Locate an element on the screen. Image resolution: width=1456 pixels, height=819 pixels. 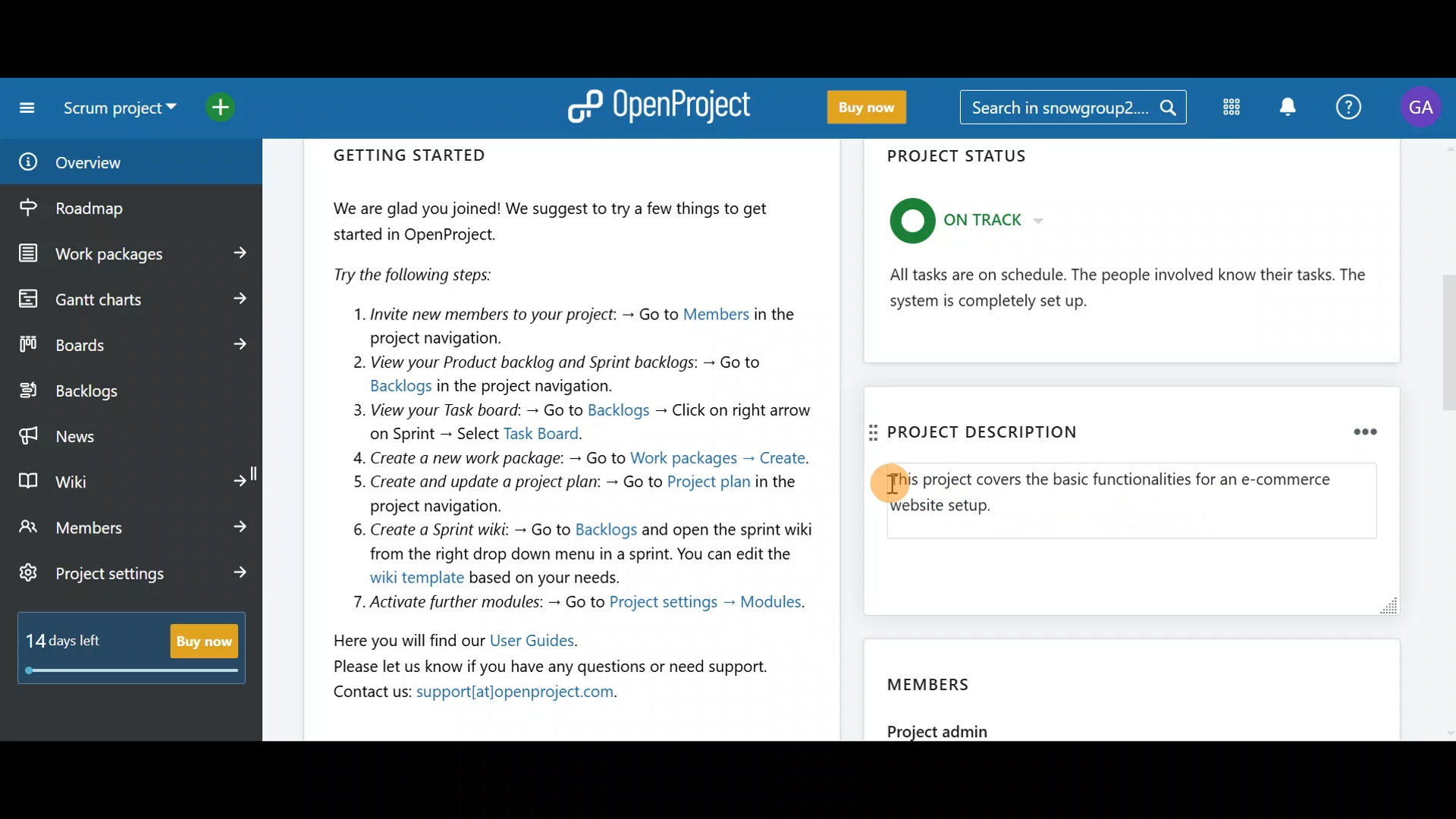
OpenProject is located at coordinates (664, 105).